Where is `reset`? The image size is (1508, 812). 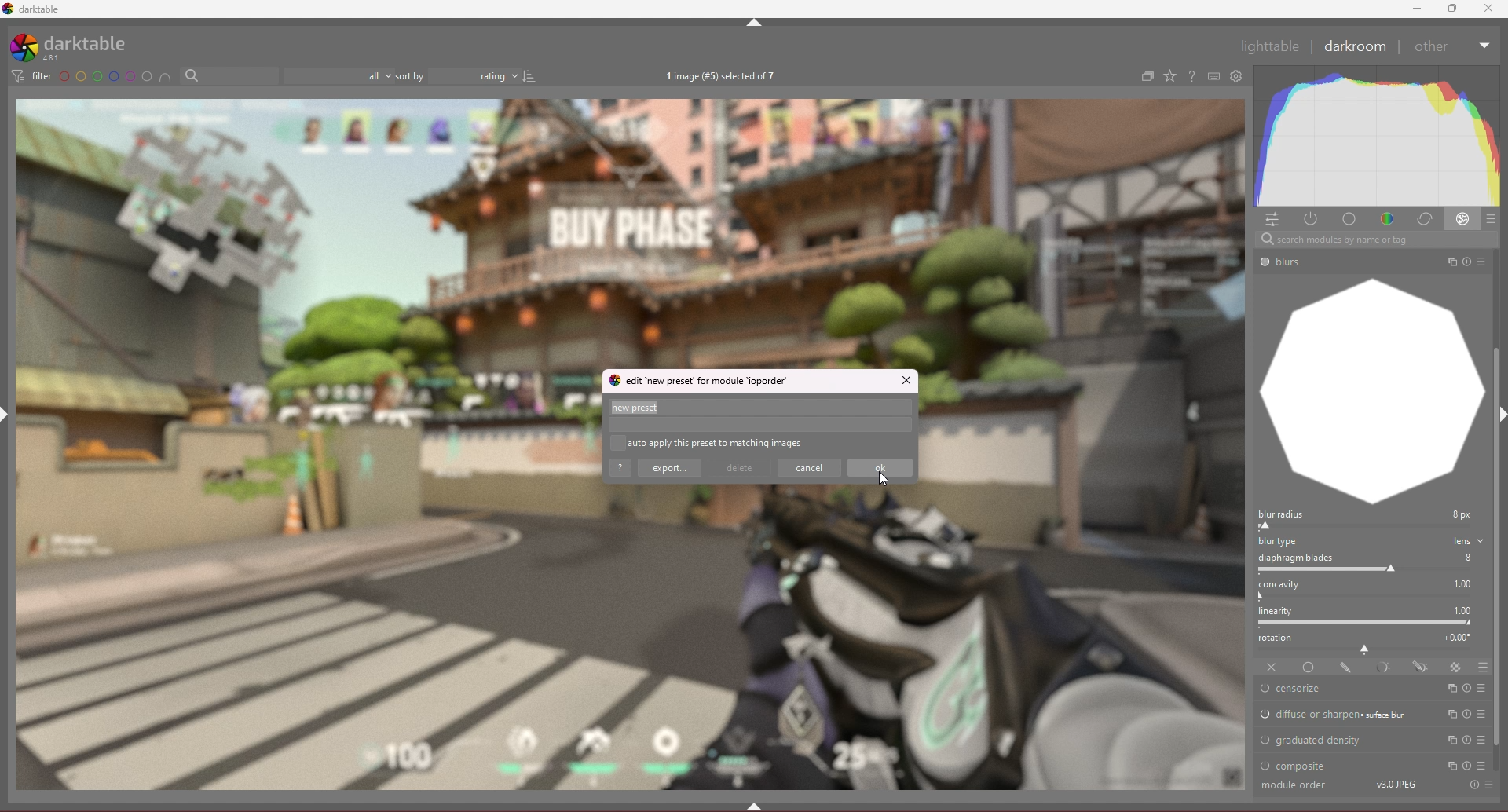
reset is located at coordinates (1466, 714).